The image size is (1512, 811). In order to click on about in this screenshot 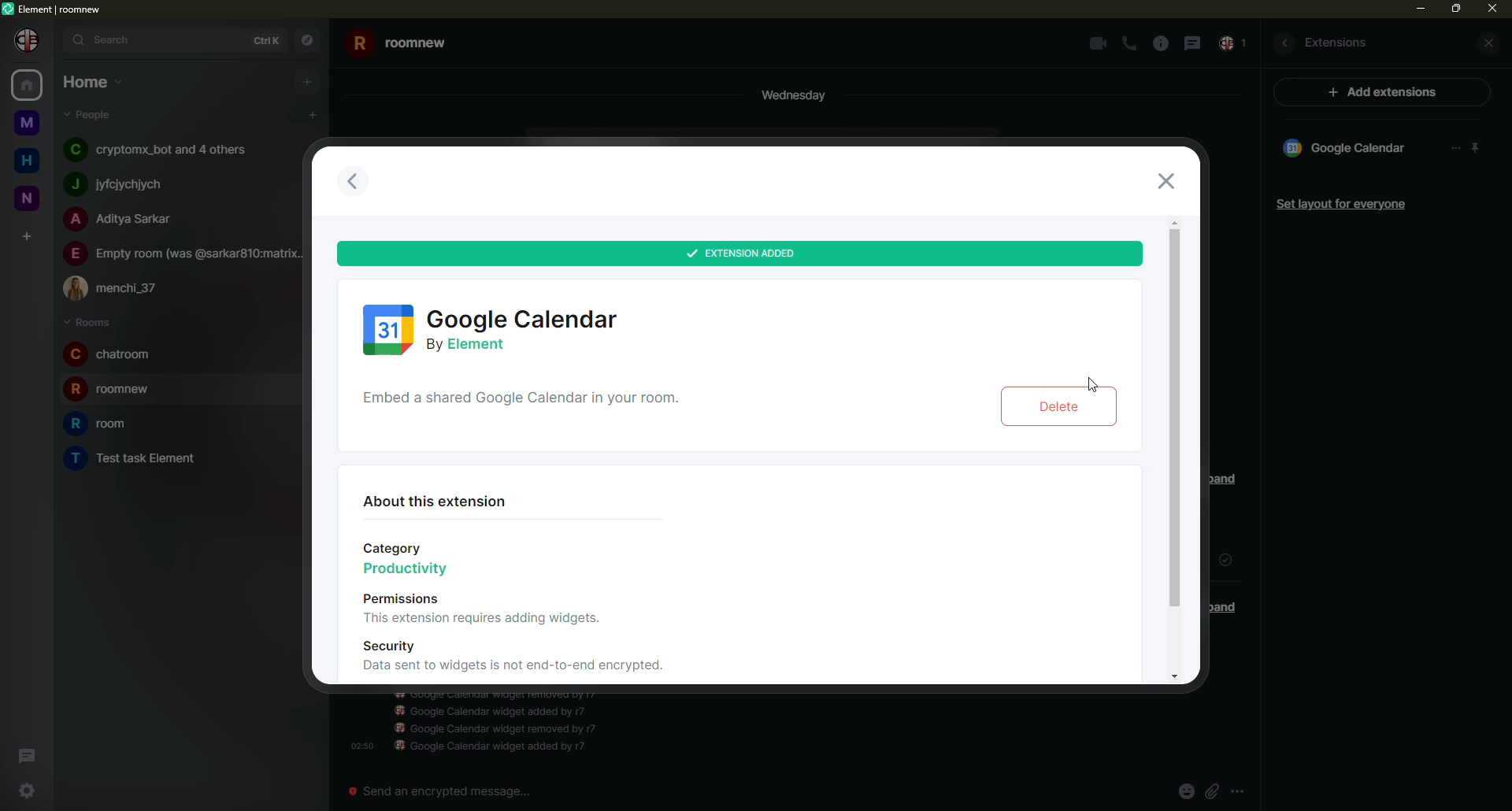, I will do `click(444, 501)`.